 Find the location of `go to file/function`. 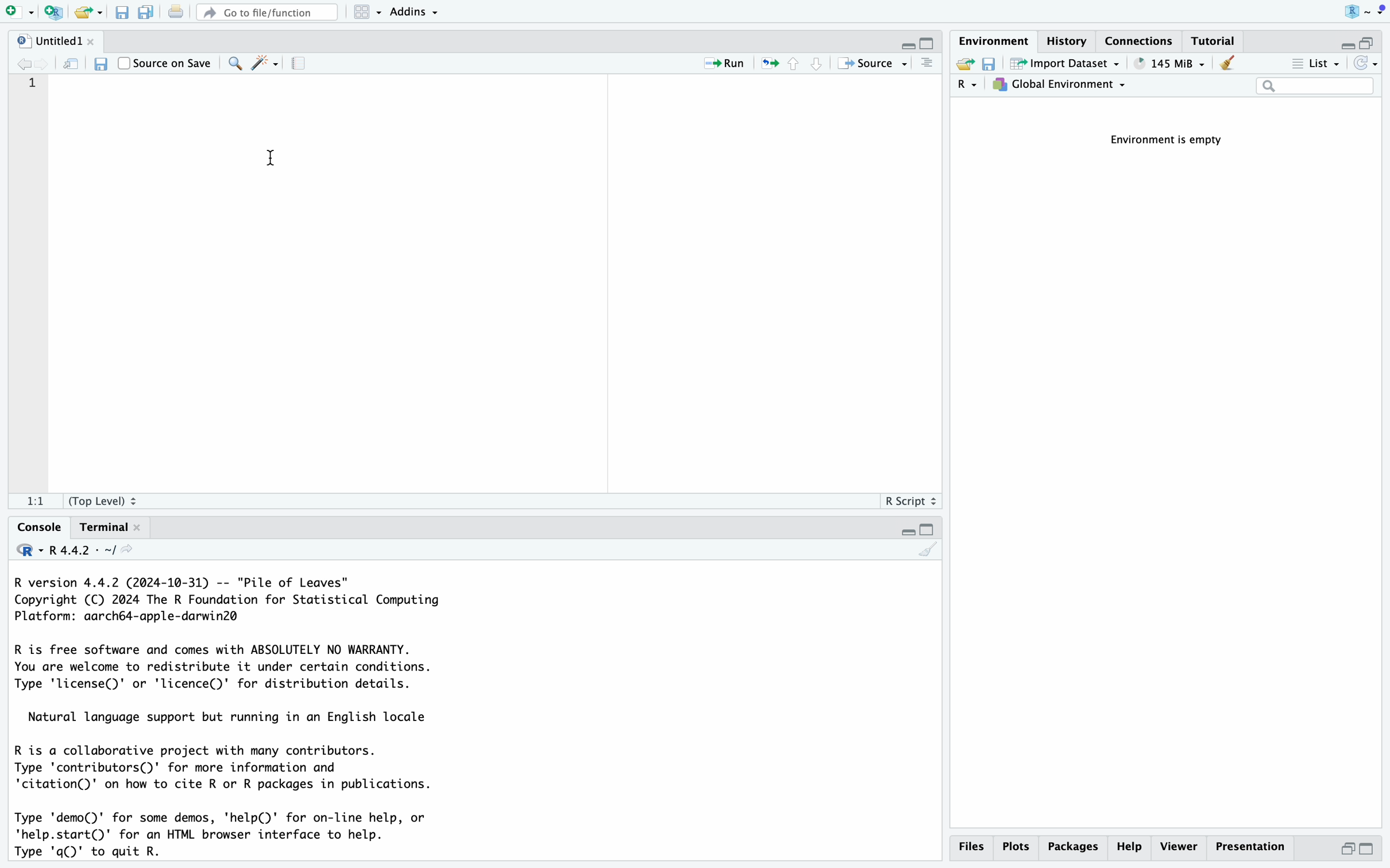

go to file/function is located at coordinates (266, 10).